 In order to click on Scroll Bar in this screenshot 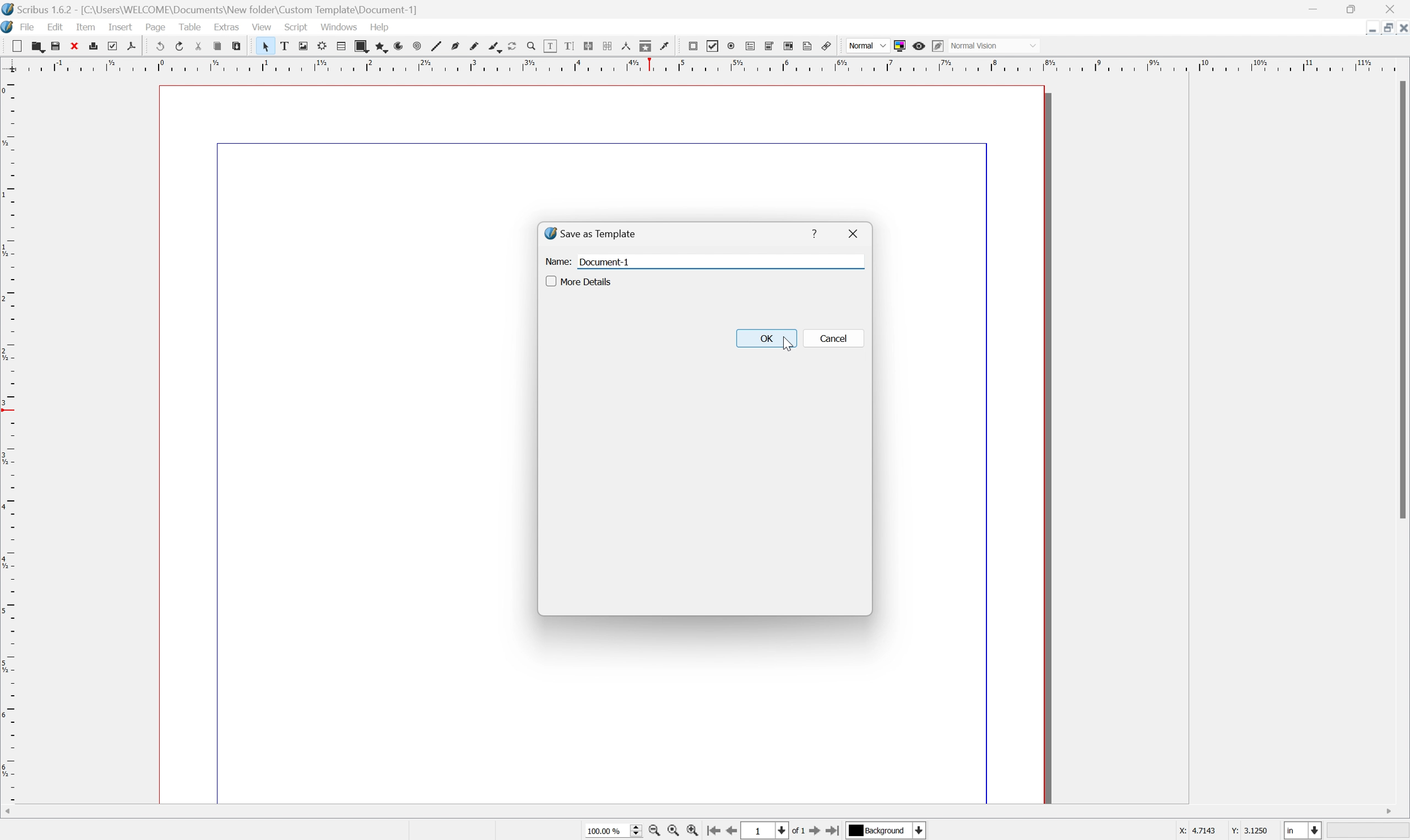, I will do `click(1401, 299)`.